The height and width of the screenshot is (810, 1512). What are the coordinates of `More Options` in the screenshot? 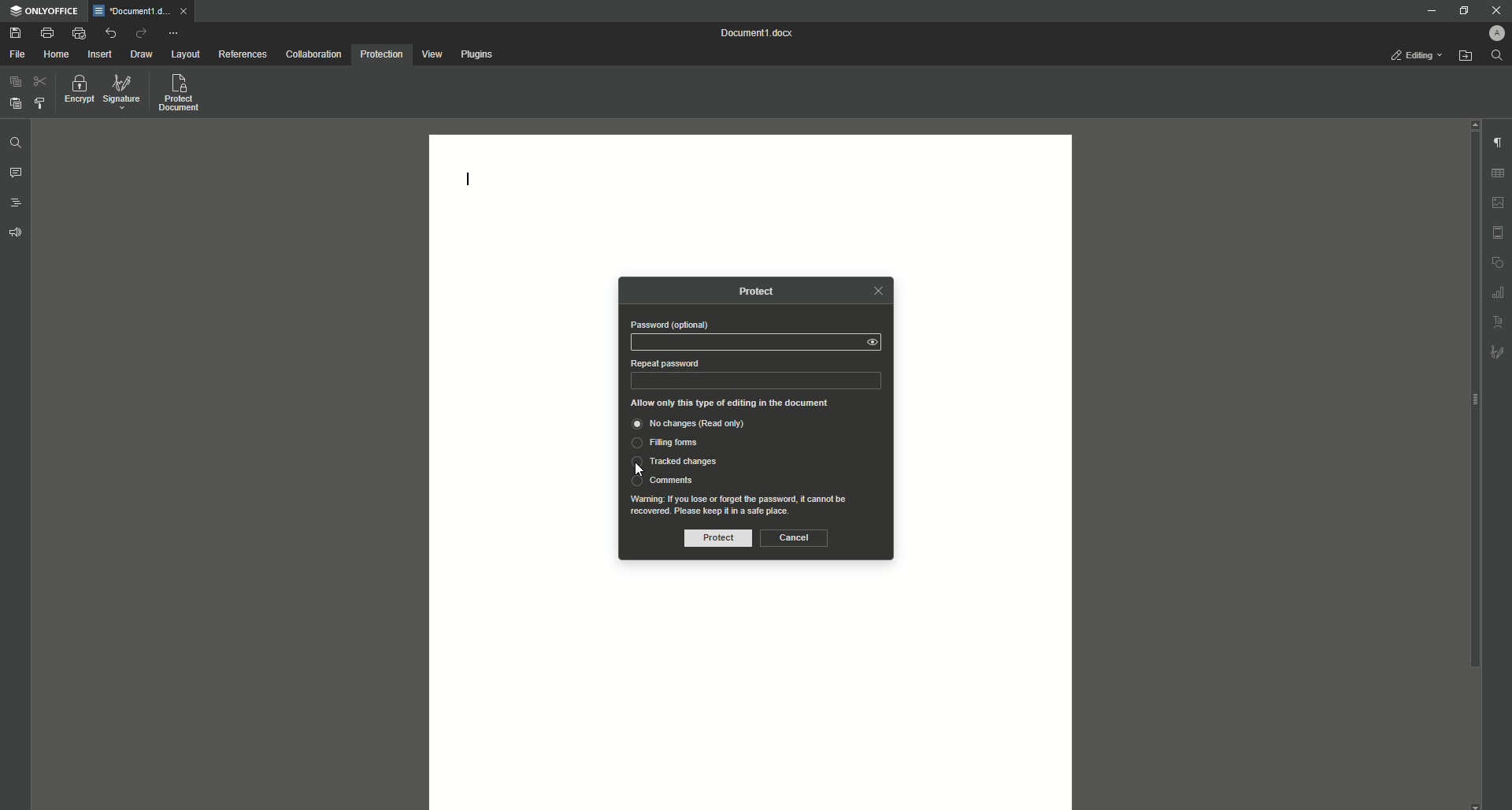 It's located at (175, 32).